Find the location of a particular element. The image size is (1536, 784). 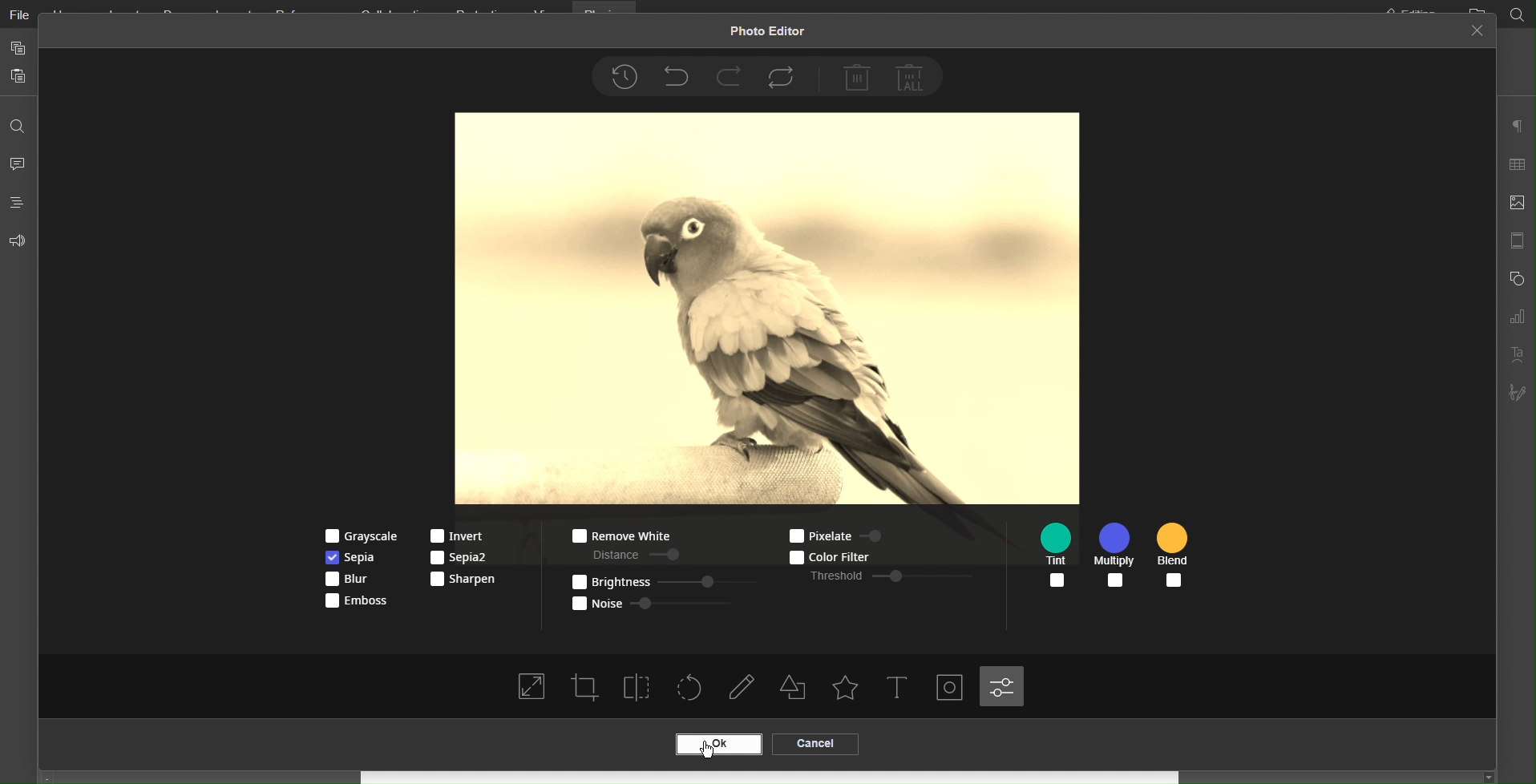

Feedback and Support is located at coordinates (18, 240).